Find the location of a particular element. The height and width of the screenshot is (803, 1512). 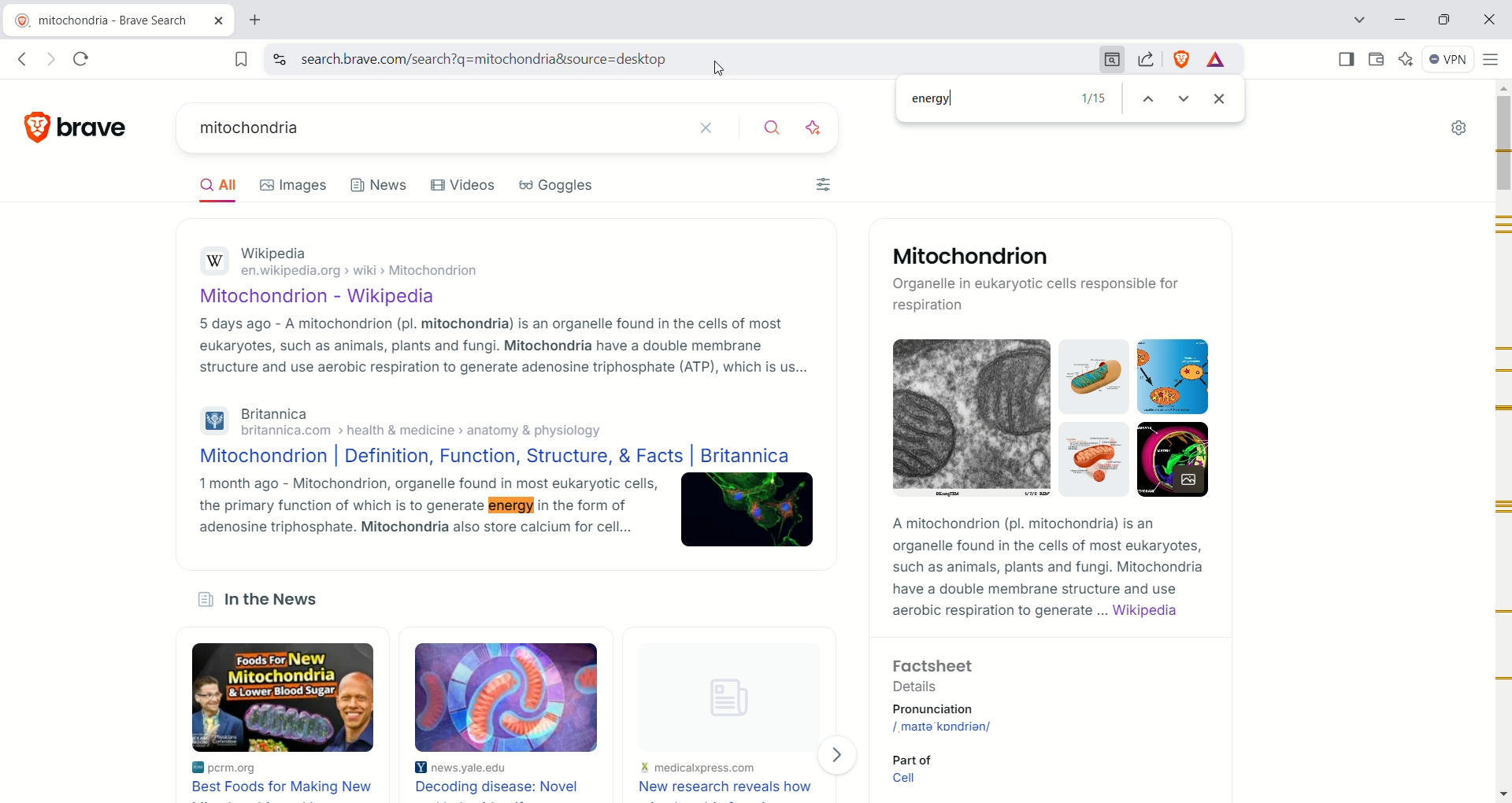

Image is located at coordinates (1173, 459).